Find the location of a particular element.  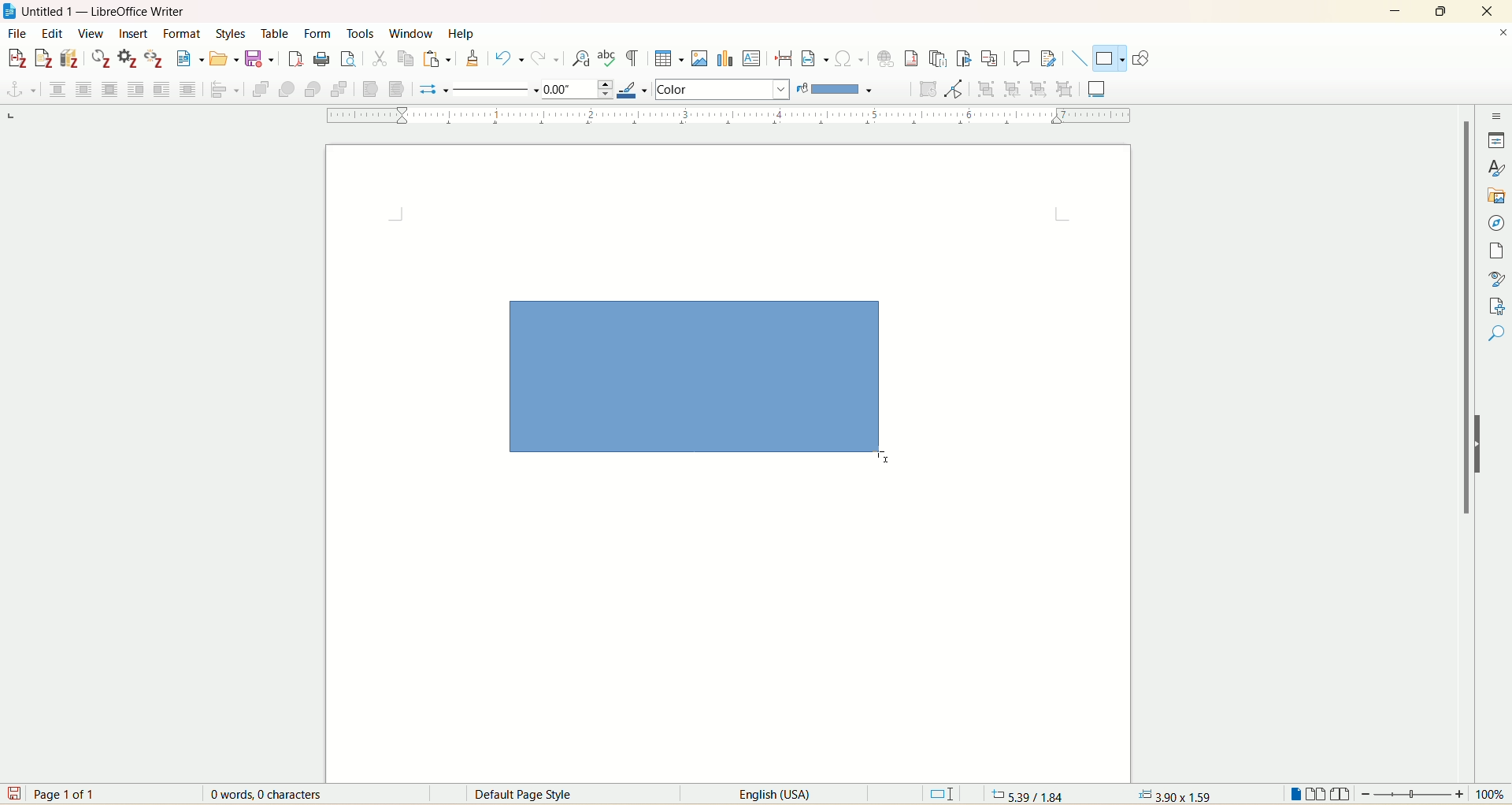

properties is located at coordinates (1496, 140).